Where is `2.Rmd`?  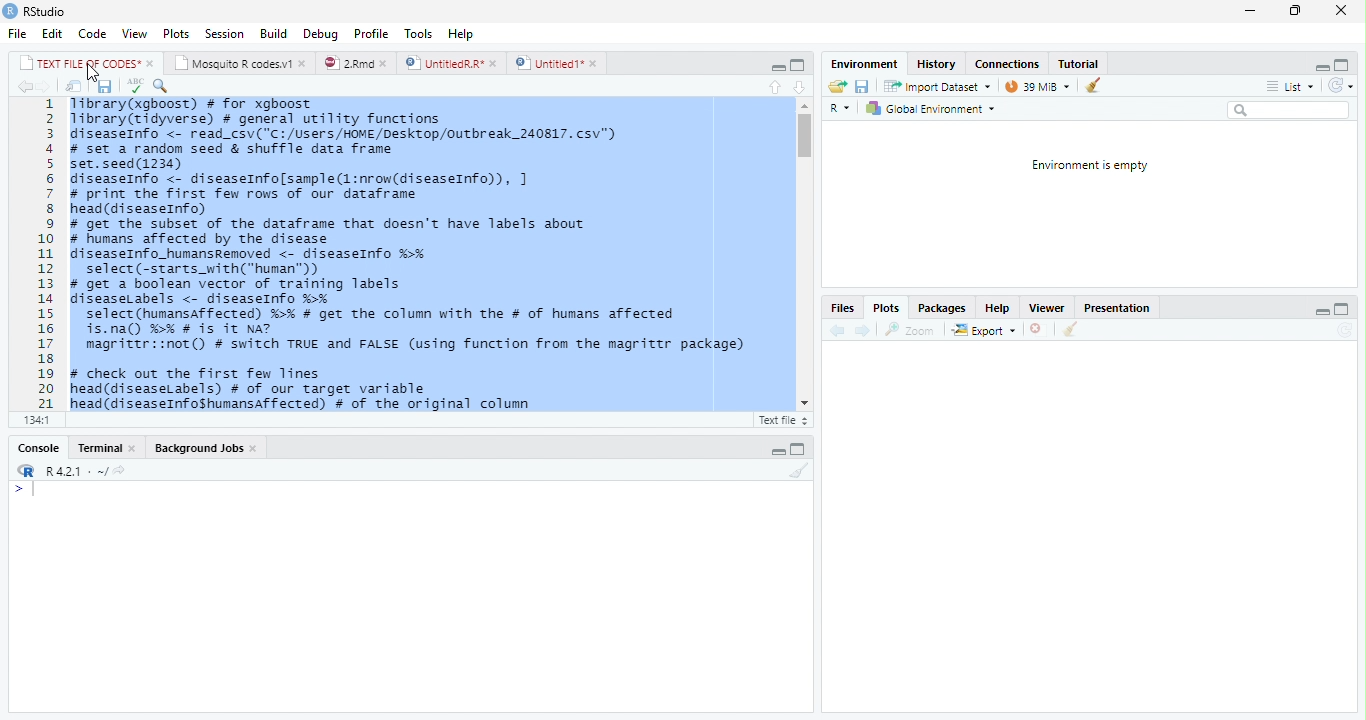 2.Rmd is located at coordinates (356, 63).